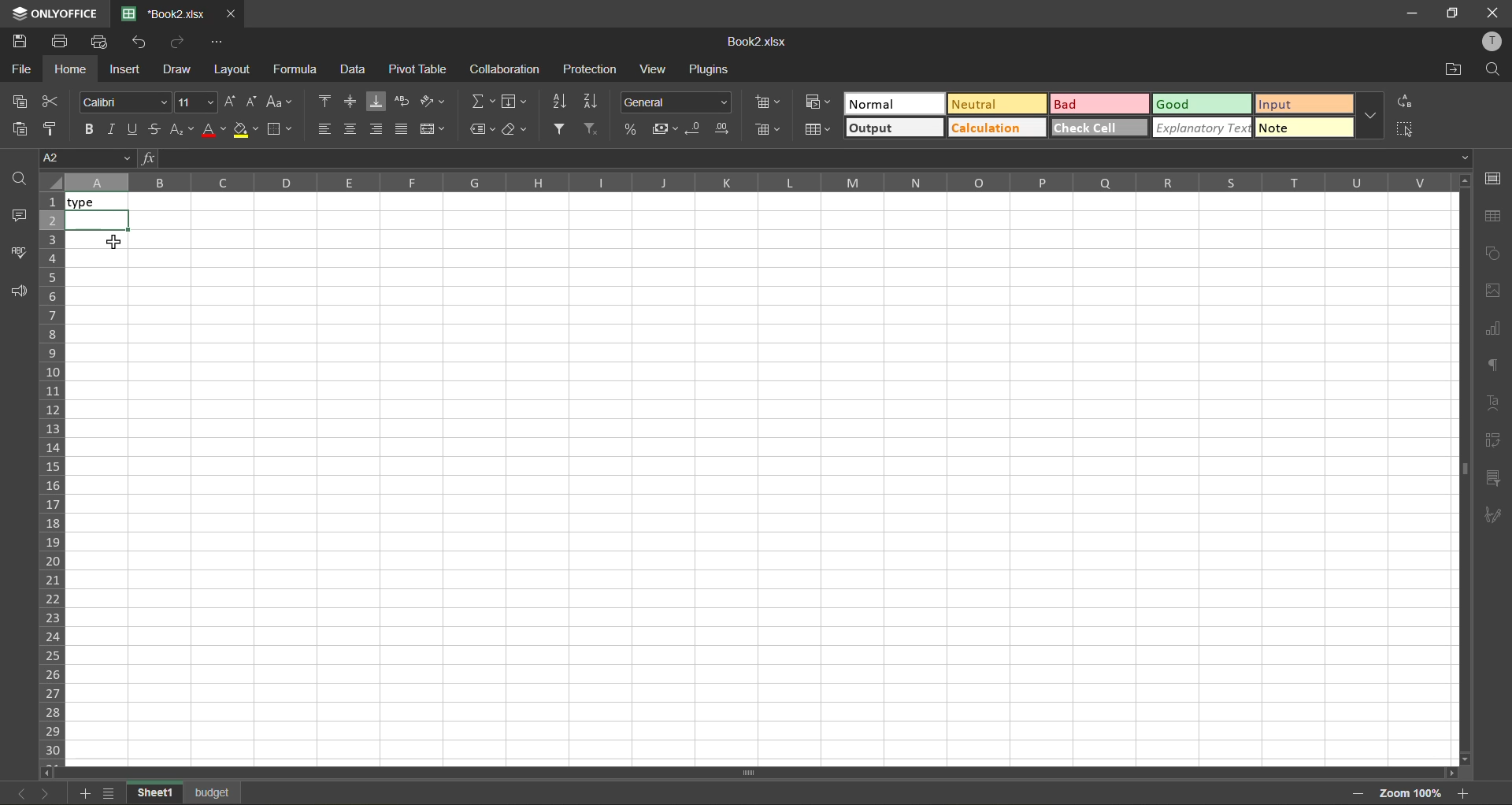  What do you see at coordinates (710, 72) in the screenshot?
I see `plugins` at bounding box center [710, 72].